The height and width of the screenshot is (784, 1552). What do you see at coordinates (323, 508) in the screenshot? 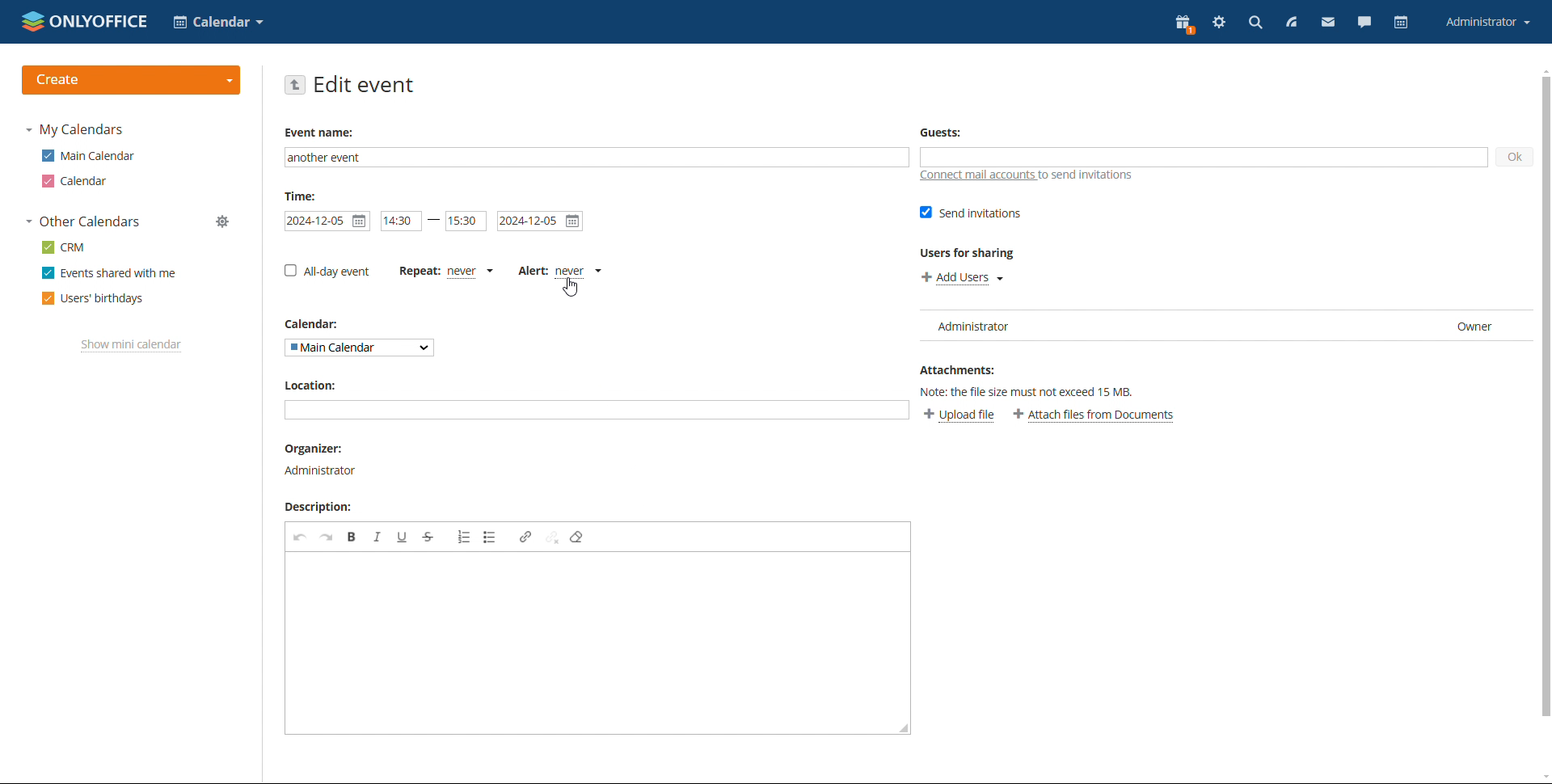
I see `description` at bounding box center [323, 508].